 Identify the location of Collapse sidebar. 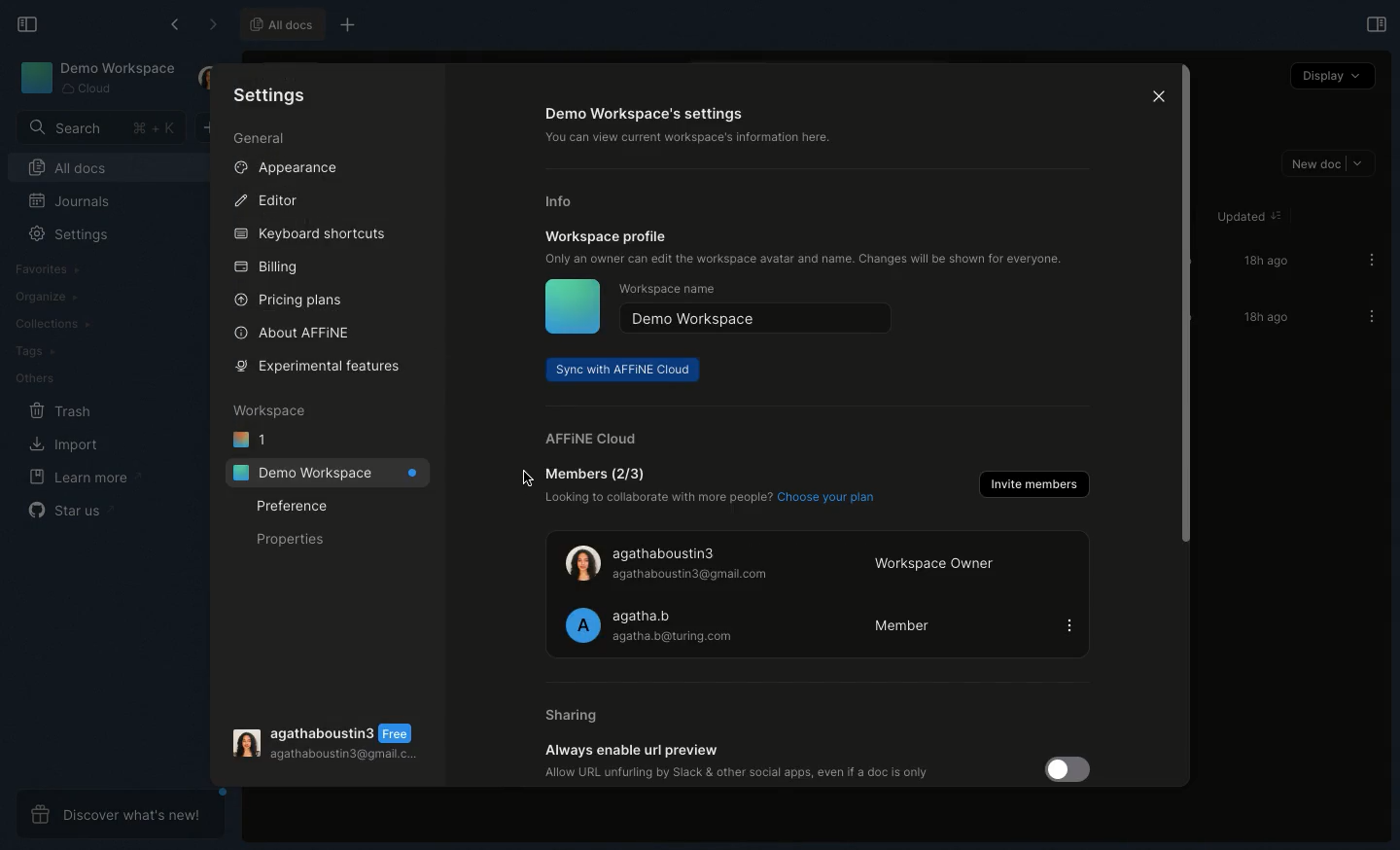
(25, 25).